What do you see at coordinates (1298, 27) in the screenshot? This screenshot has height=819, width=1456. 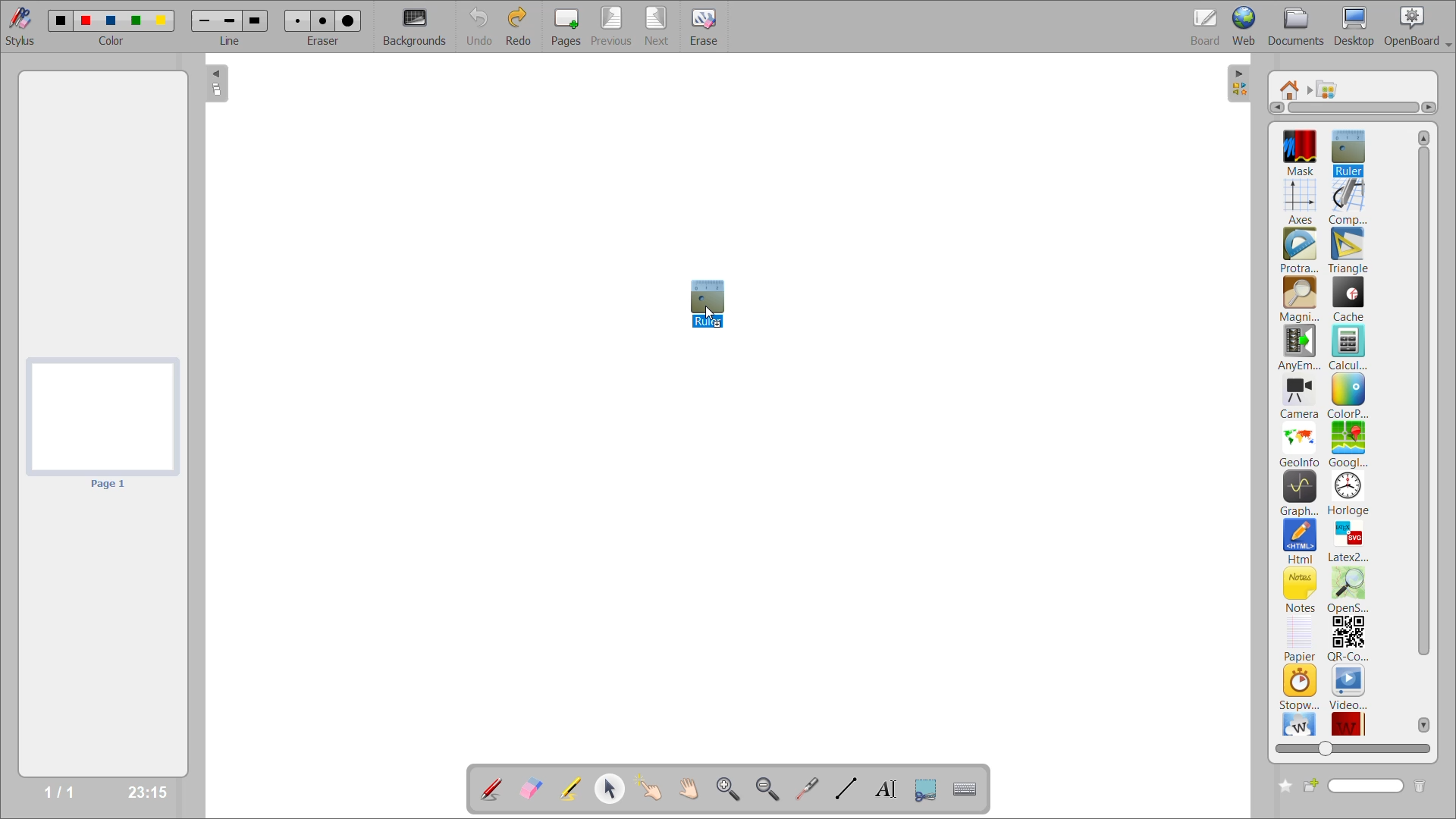 I see `documents` at bounding box center [1298, 27].